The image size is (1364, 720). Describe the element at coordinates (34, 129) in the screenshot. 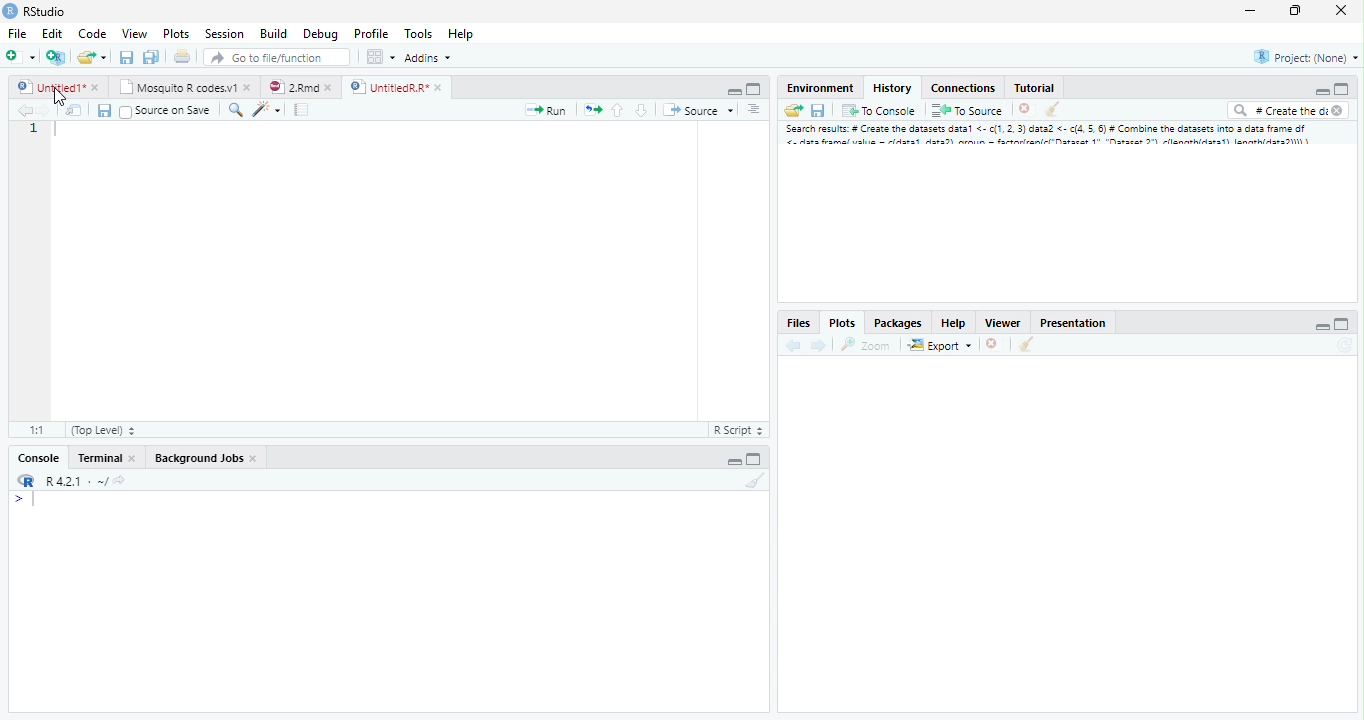

I see `1` at that location.